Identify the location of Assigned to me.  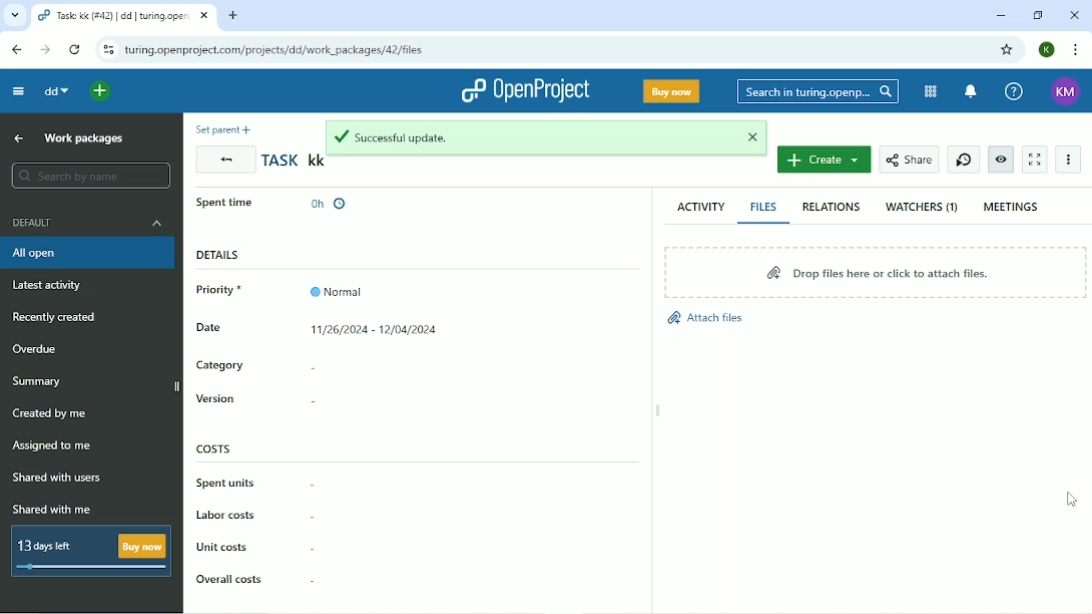
(51, 445).